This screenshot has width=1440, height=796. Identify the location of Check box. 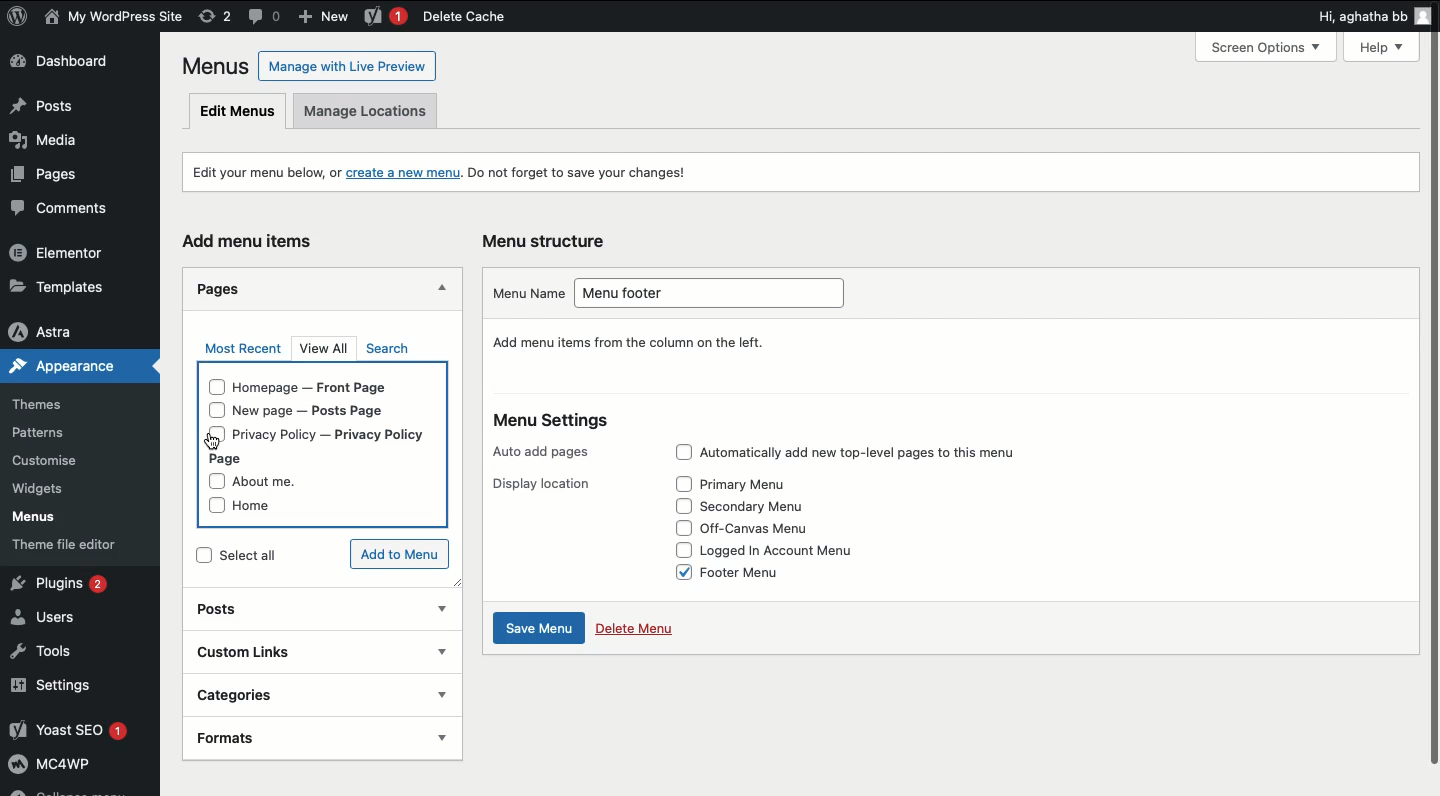
(679, 453).